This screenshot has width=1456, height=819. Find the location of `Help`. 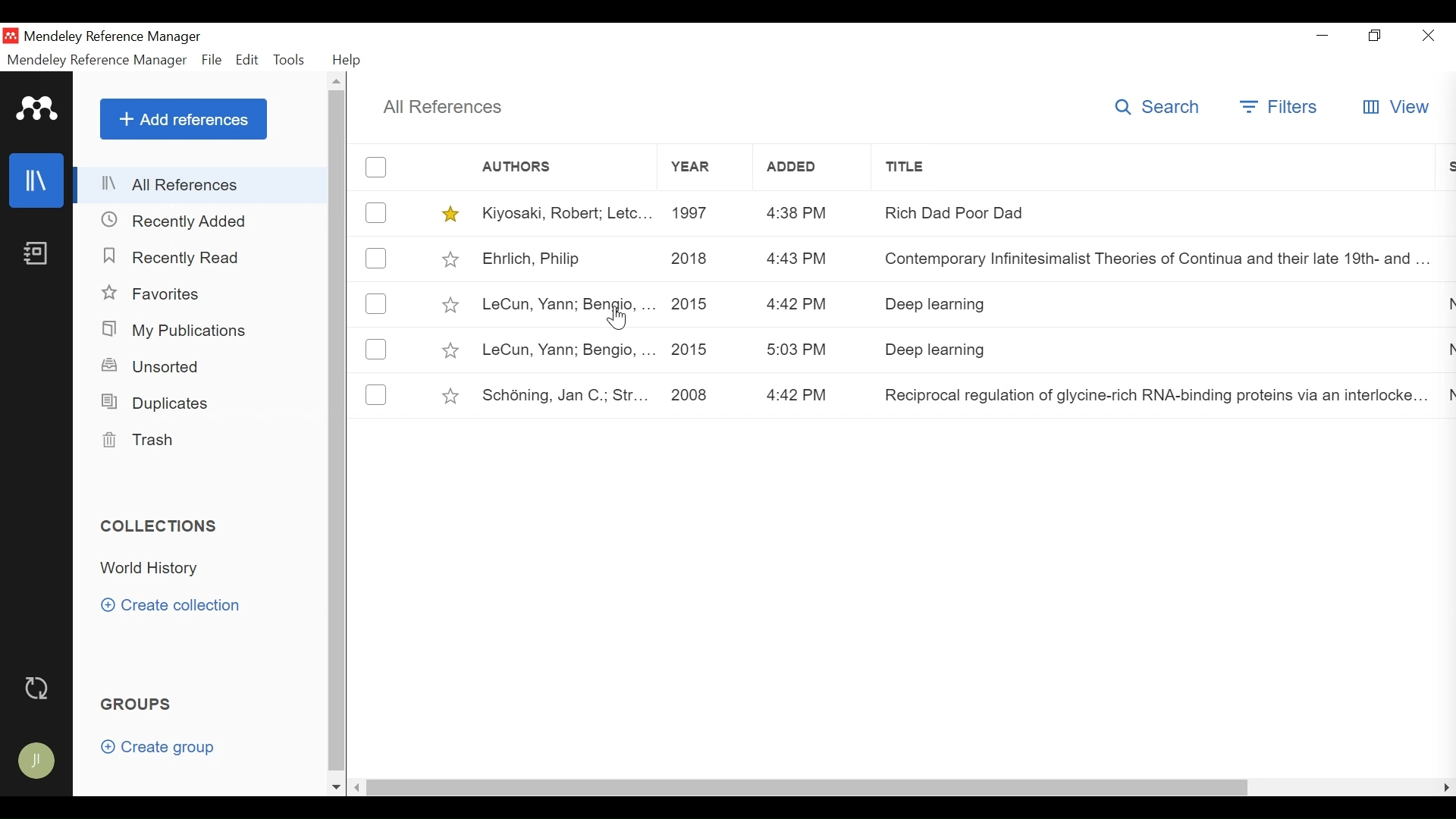

Help is located at coordinates (348, 60).